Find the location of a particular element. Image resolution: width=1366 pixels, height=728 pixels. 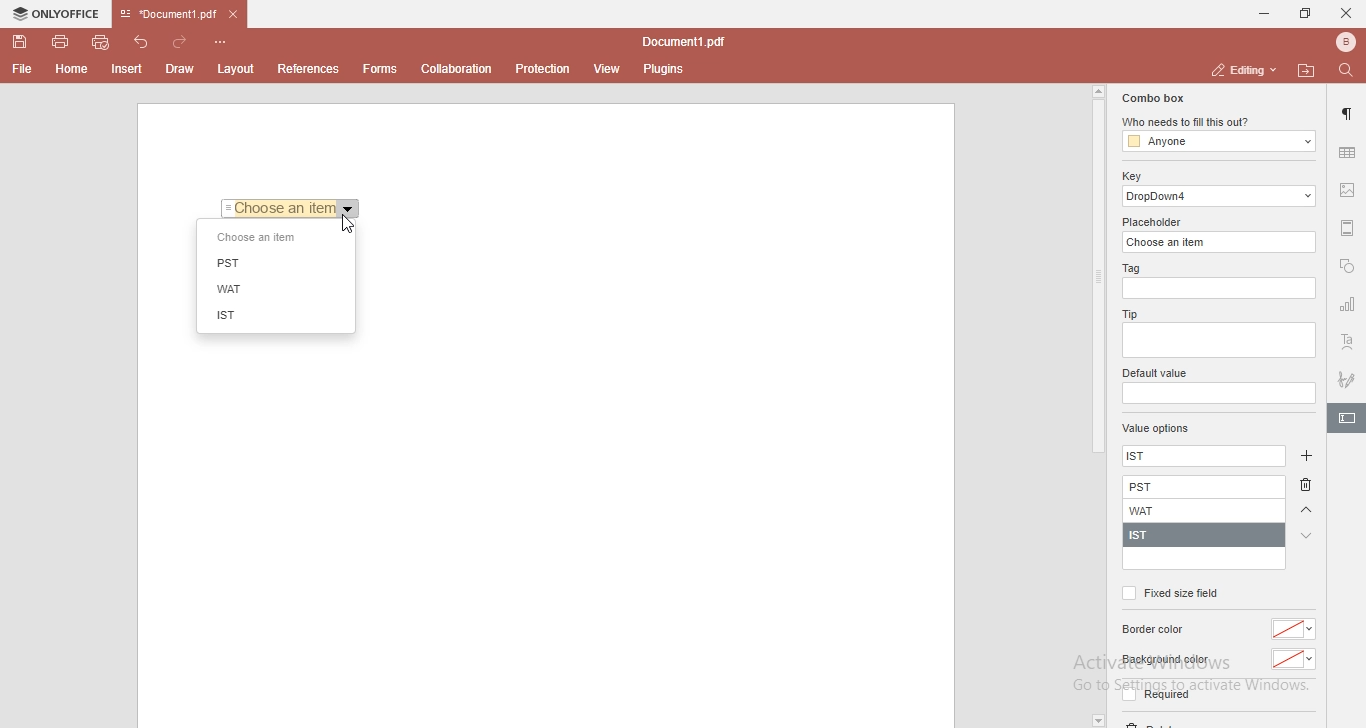

color dropdown is located at coordinates (1296, 629).